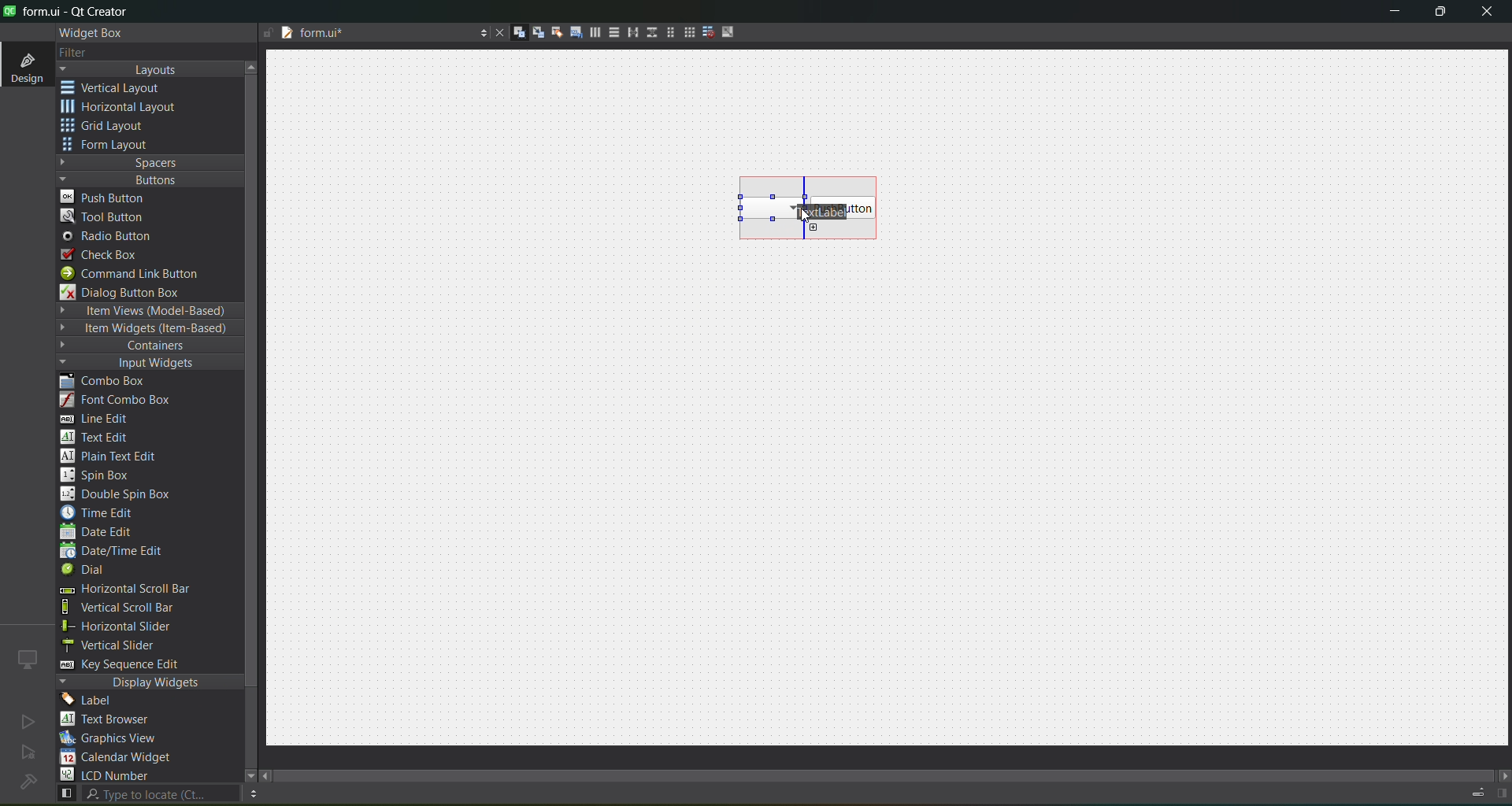  Describe the element at coordinates (135, 608) in the screenshot. I see `vertical scroll bar` at that location.